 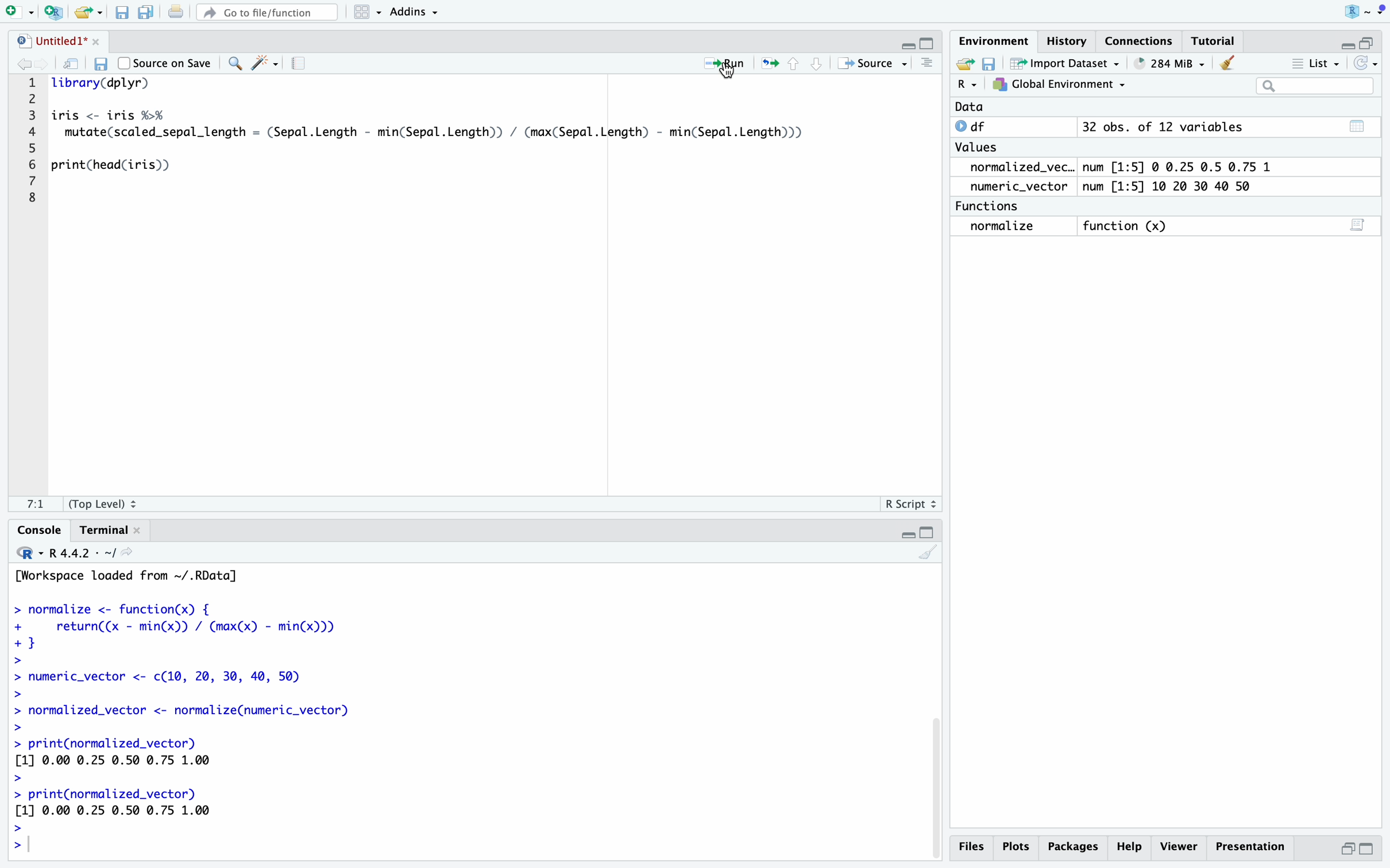 I want to click on R.4.4.2, so click(x=75, y=553).